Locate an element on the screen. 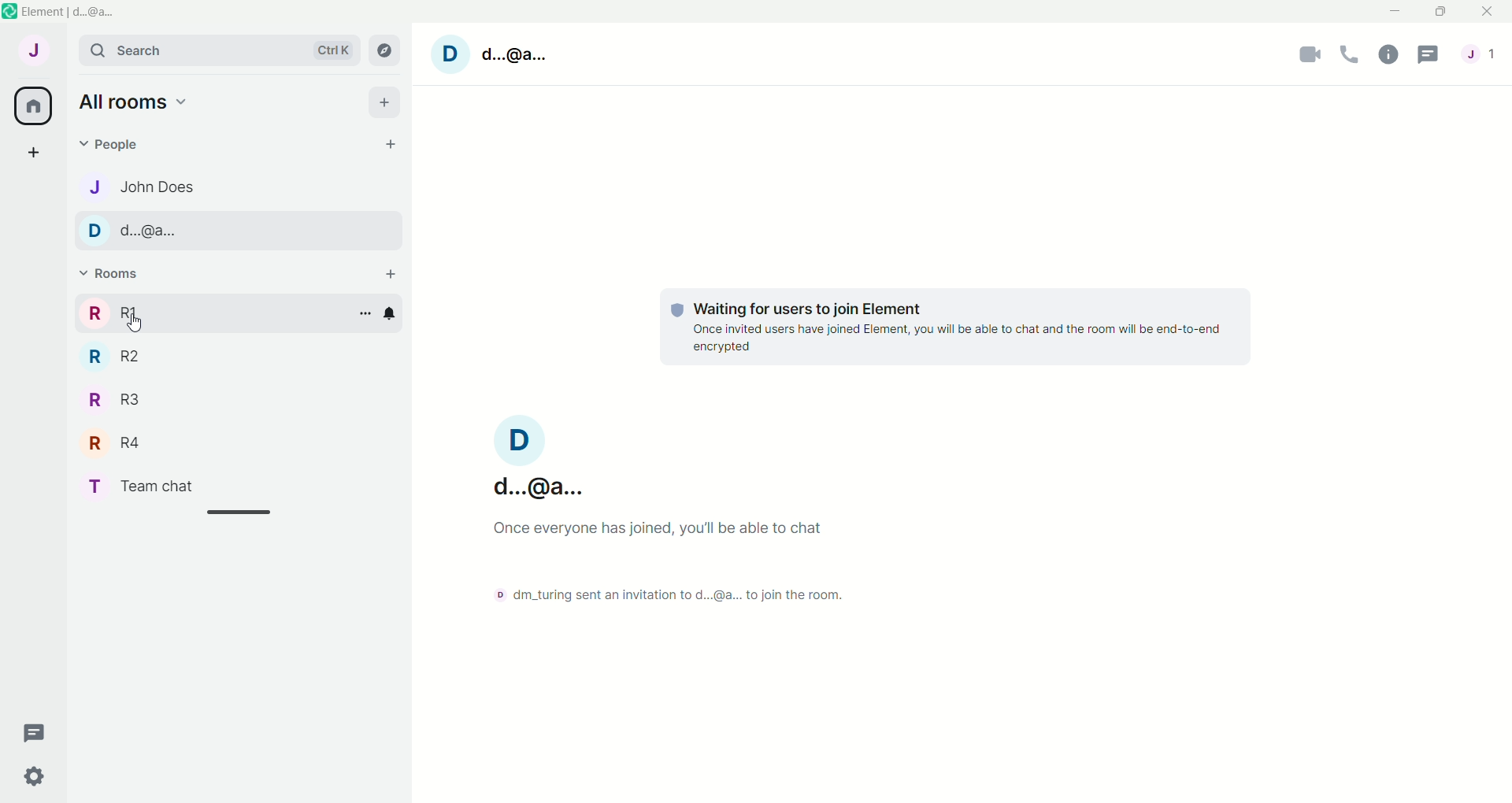 This screenshot has height=803, width=1512. account is located at coordinates (35, 54).